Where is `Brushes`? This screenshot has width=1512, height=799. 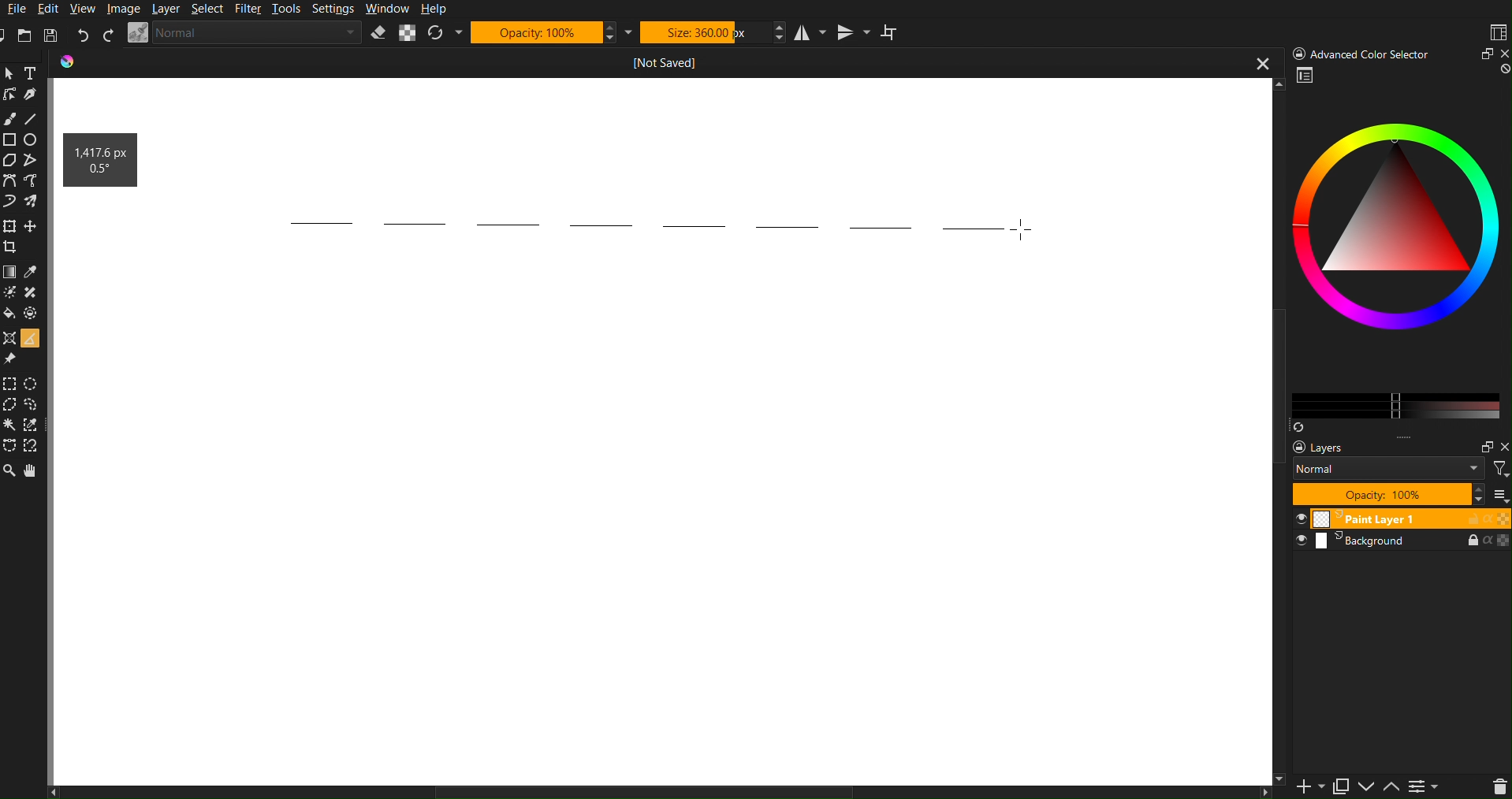
Brushes is located at coordinates (34, 200).